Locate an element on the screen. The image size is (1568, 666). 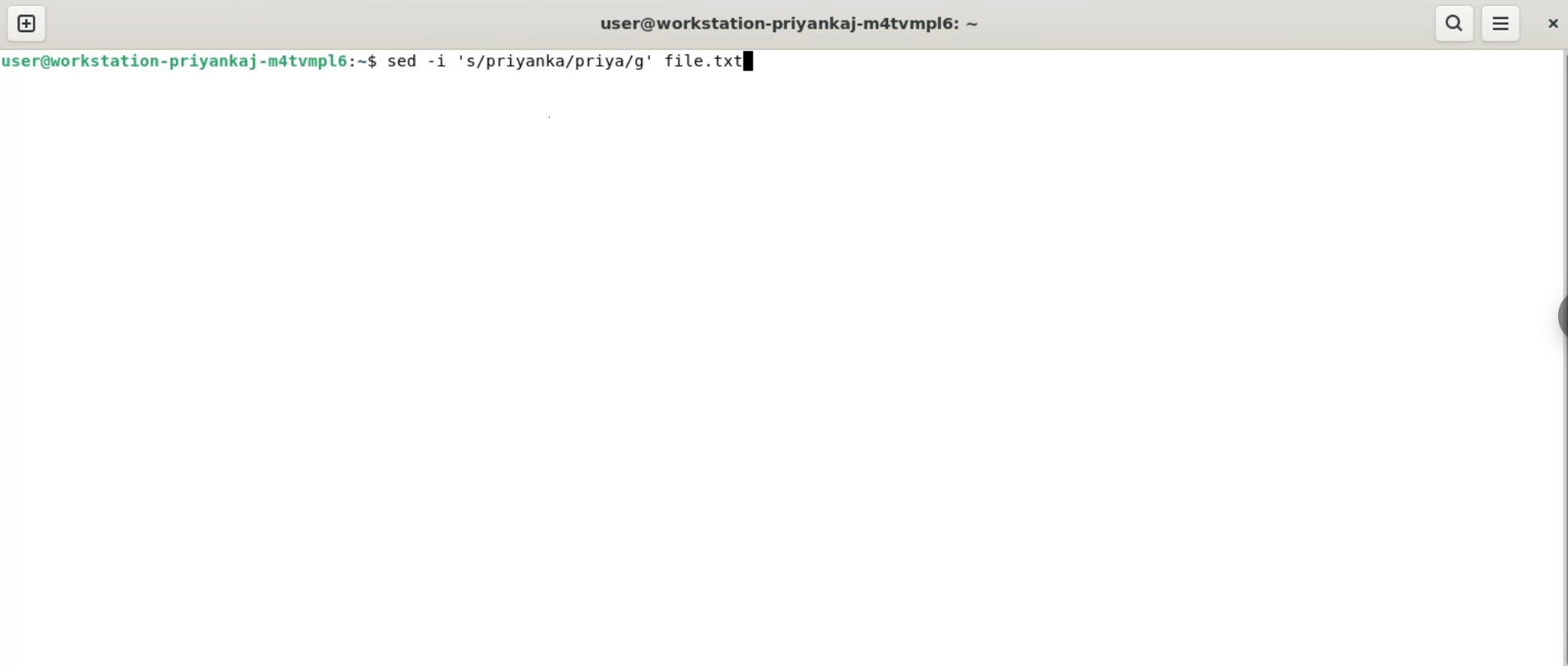
close is located at coordinates (1547, 21).